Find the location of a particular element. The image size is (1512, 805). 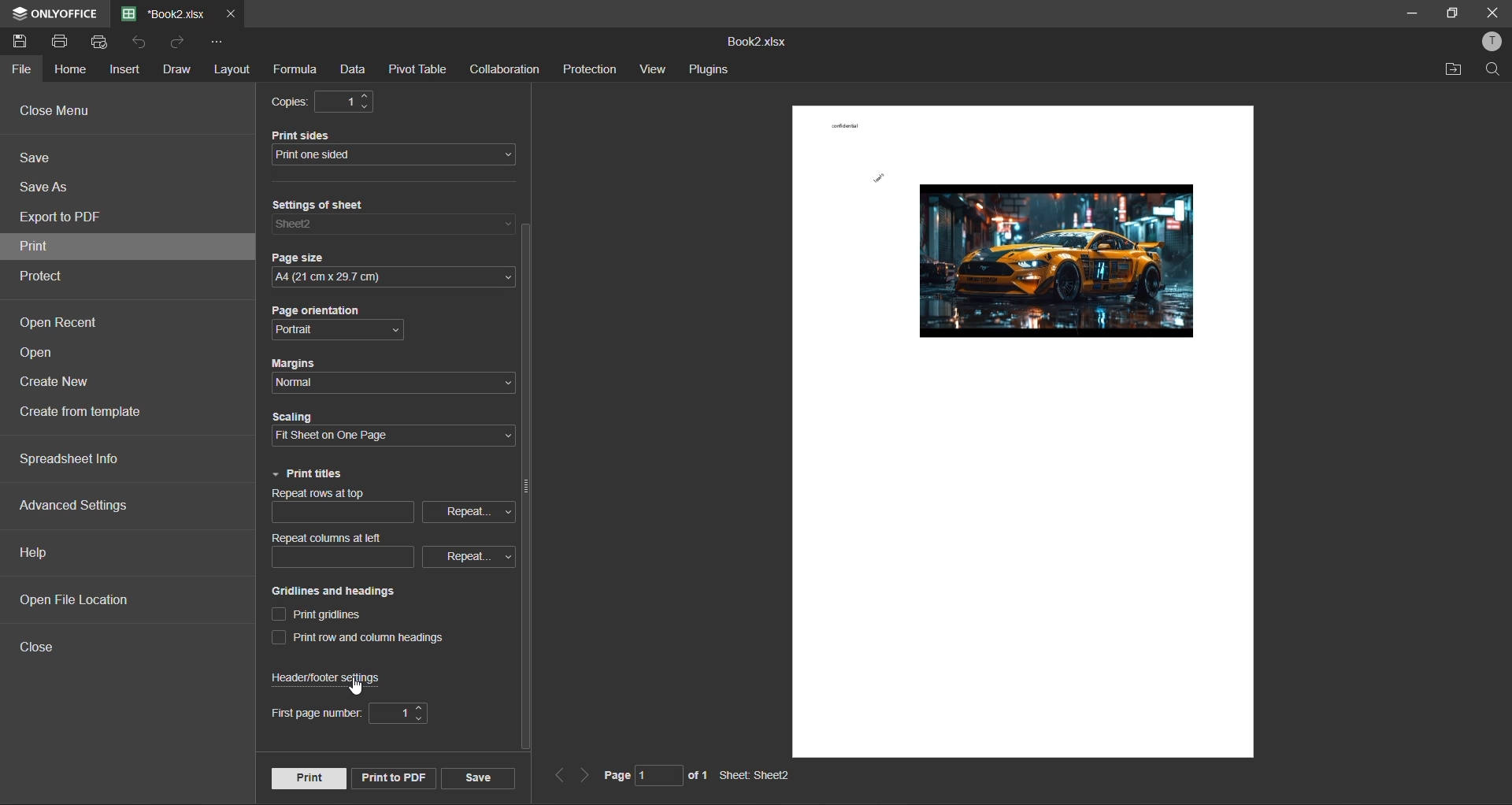

data is located at coordinates (353, 72).